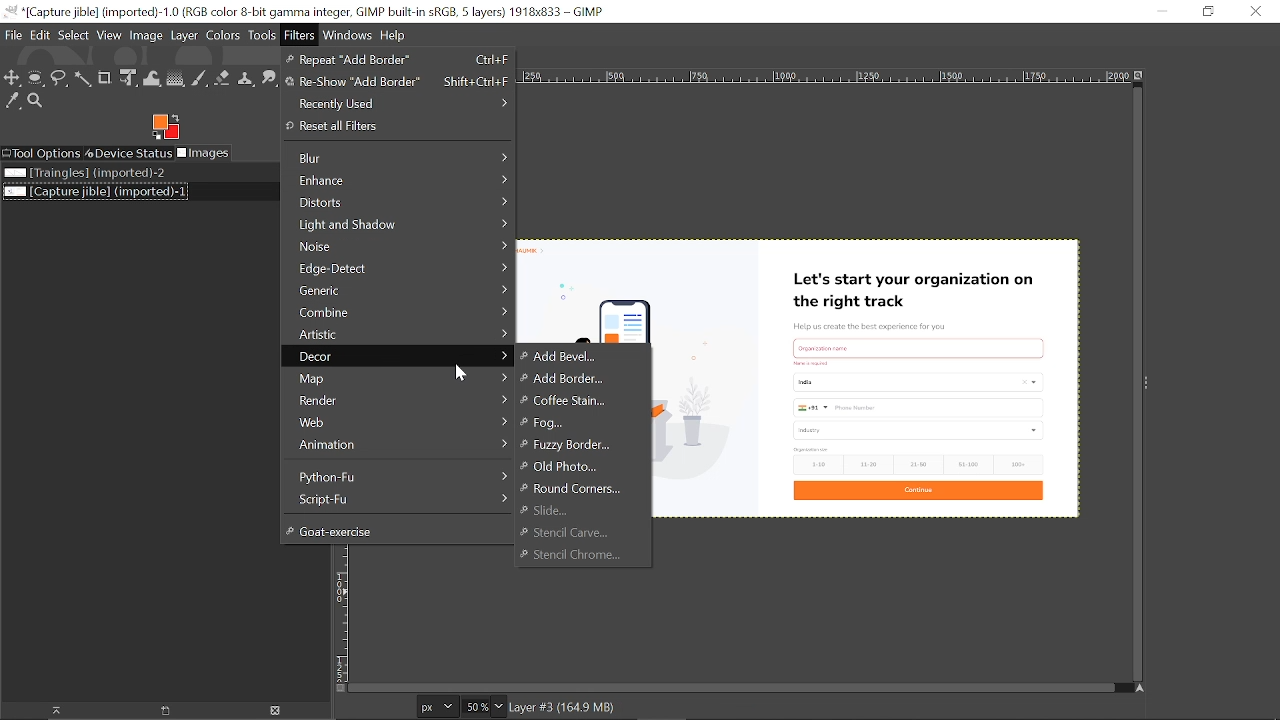  Describe the element at coordinates (393, 35) in the screenshot. I see `Help` at that location.